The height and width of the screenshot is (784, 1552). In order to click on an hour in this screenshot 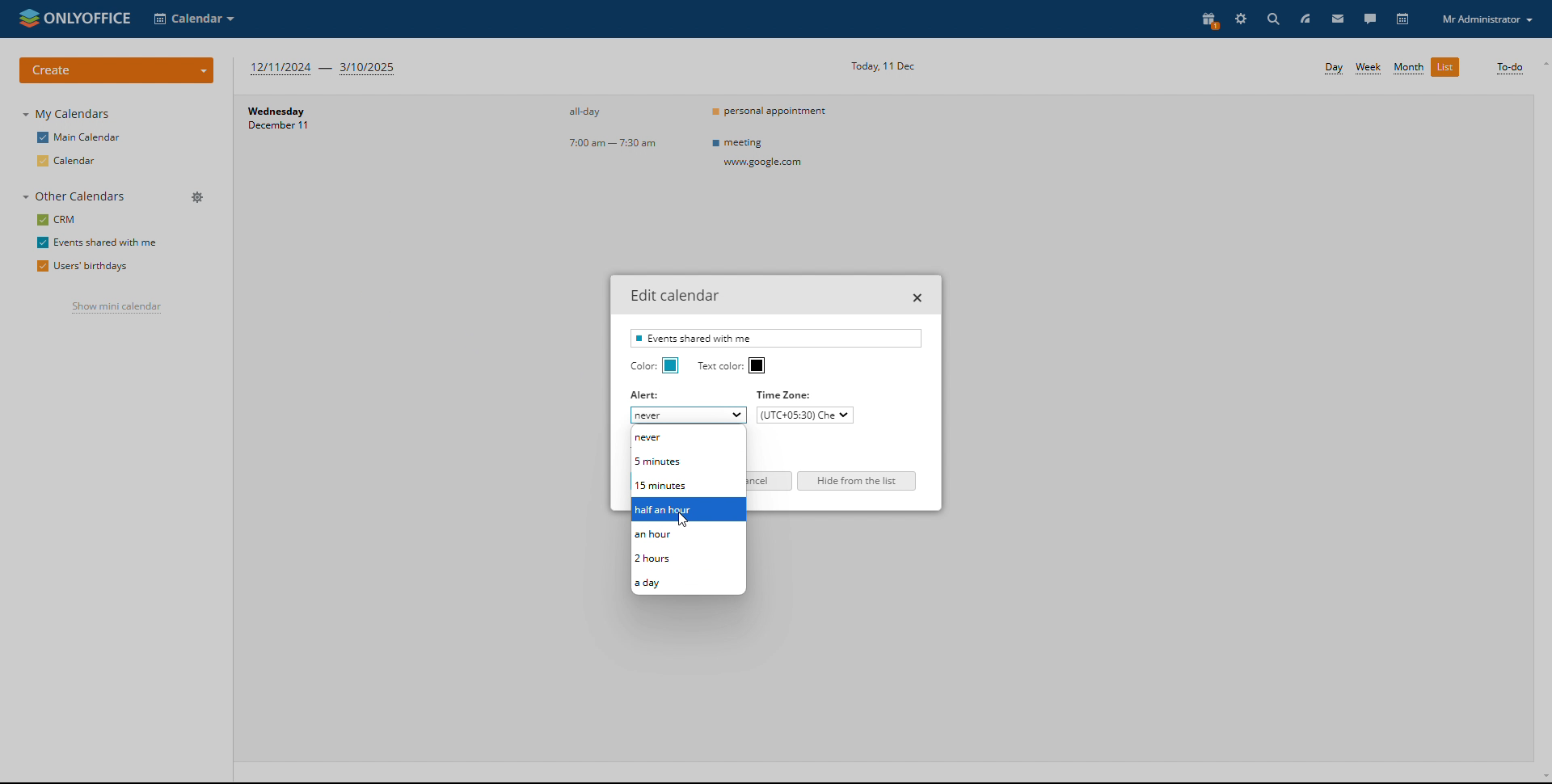, I will do `click(688, 536)`.